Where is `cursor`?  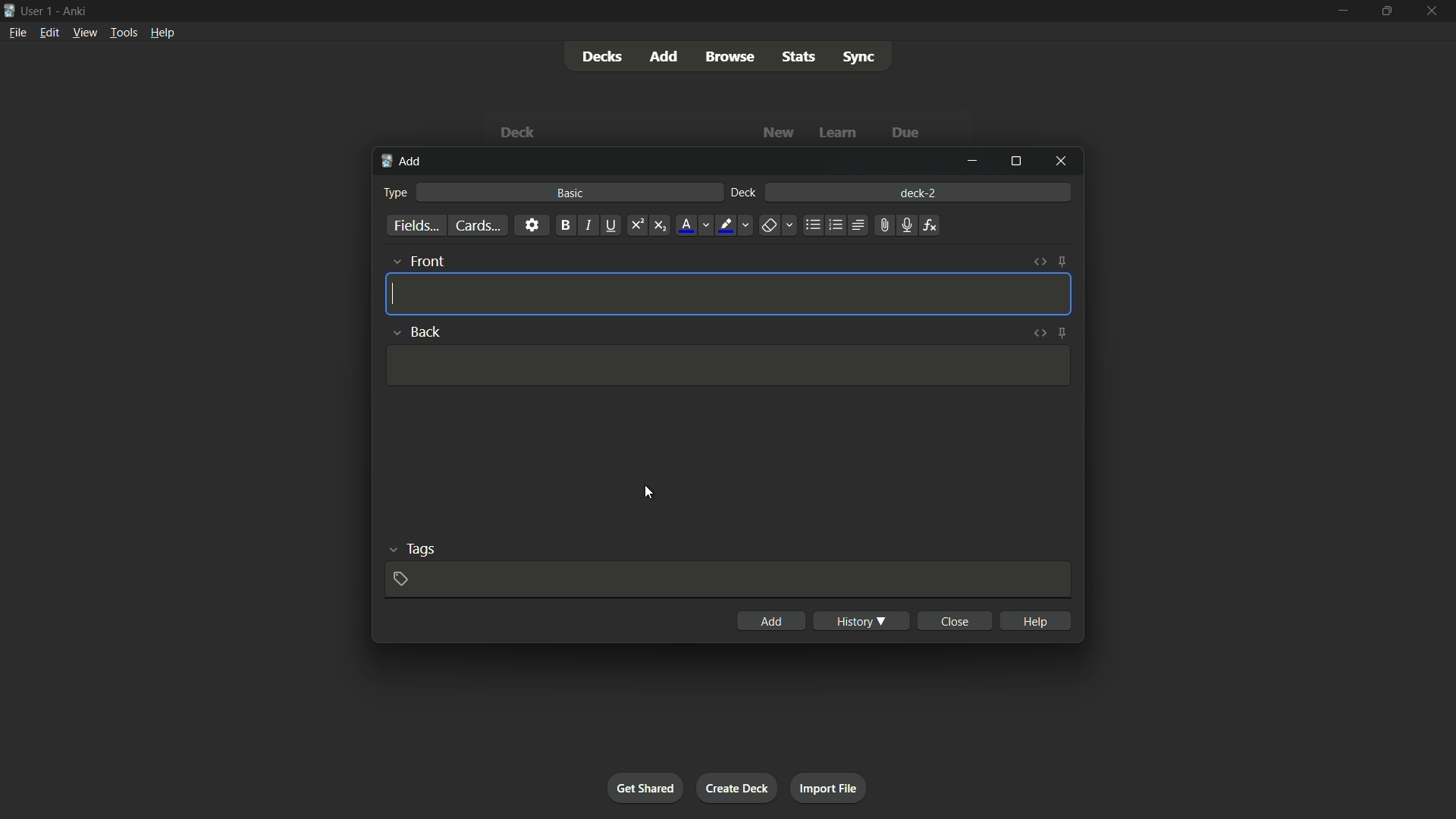
cursor is located at coordinates (649, 494).